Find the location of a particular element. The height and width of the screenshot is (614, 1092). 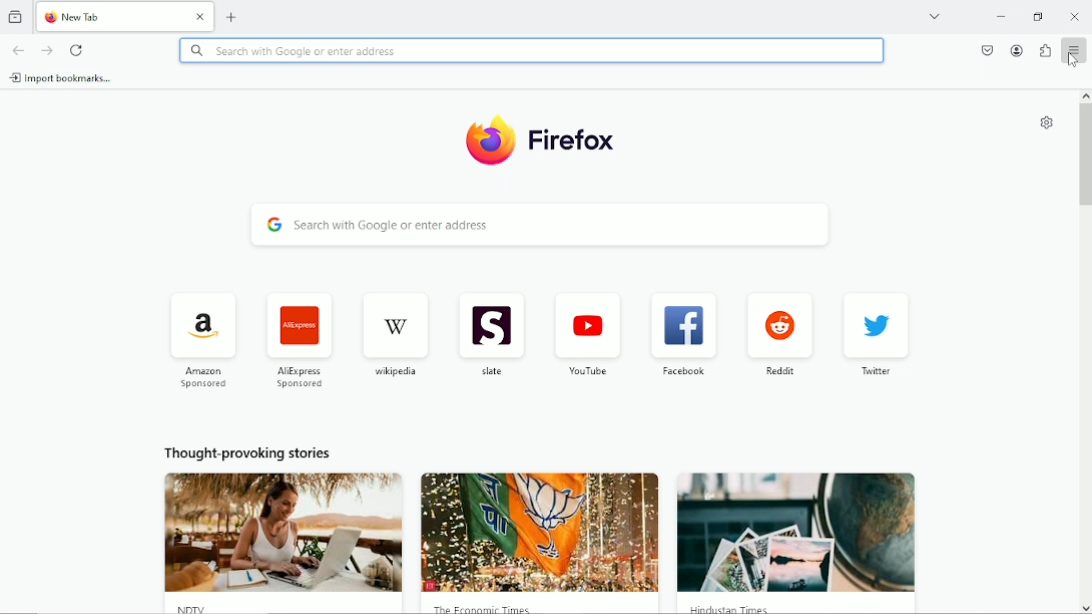

icon is located at coordinates (587, 323).